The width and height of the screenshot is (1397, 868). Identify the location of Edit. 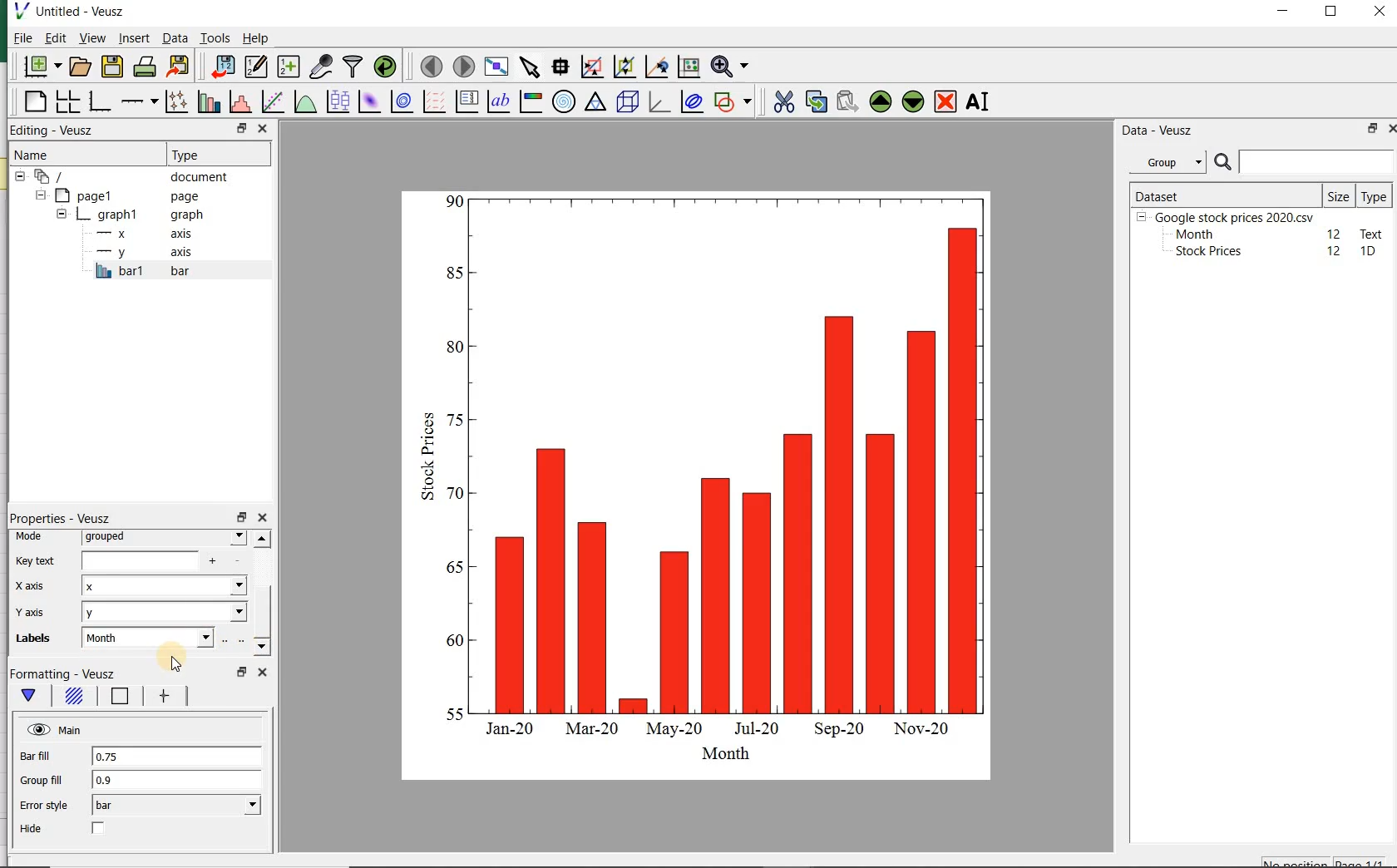
(54, 37).